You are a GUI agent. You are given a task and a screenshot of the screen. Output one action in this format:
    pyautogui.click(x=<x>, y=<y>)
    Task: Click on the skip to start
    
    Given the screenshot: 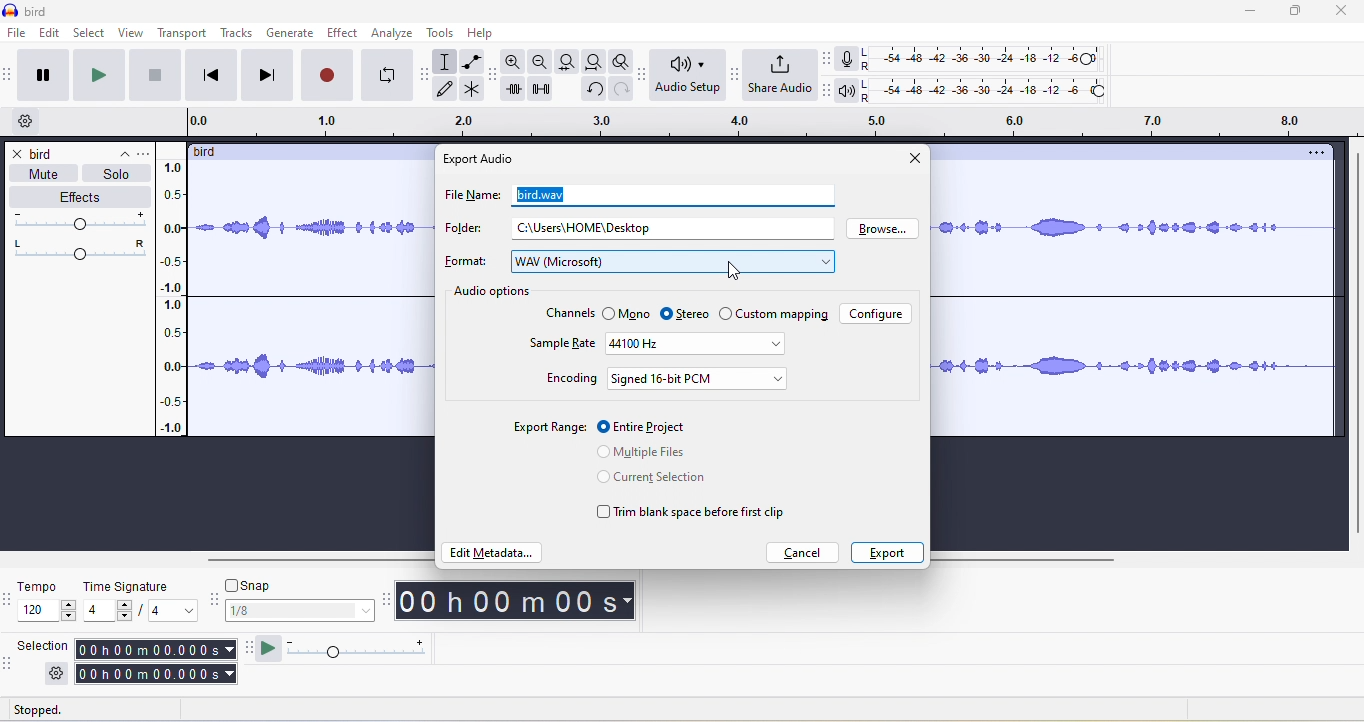 What is the action you would take?
    pyautogui.click(x=214, y=75)
    